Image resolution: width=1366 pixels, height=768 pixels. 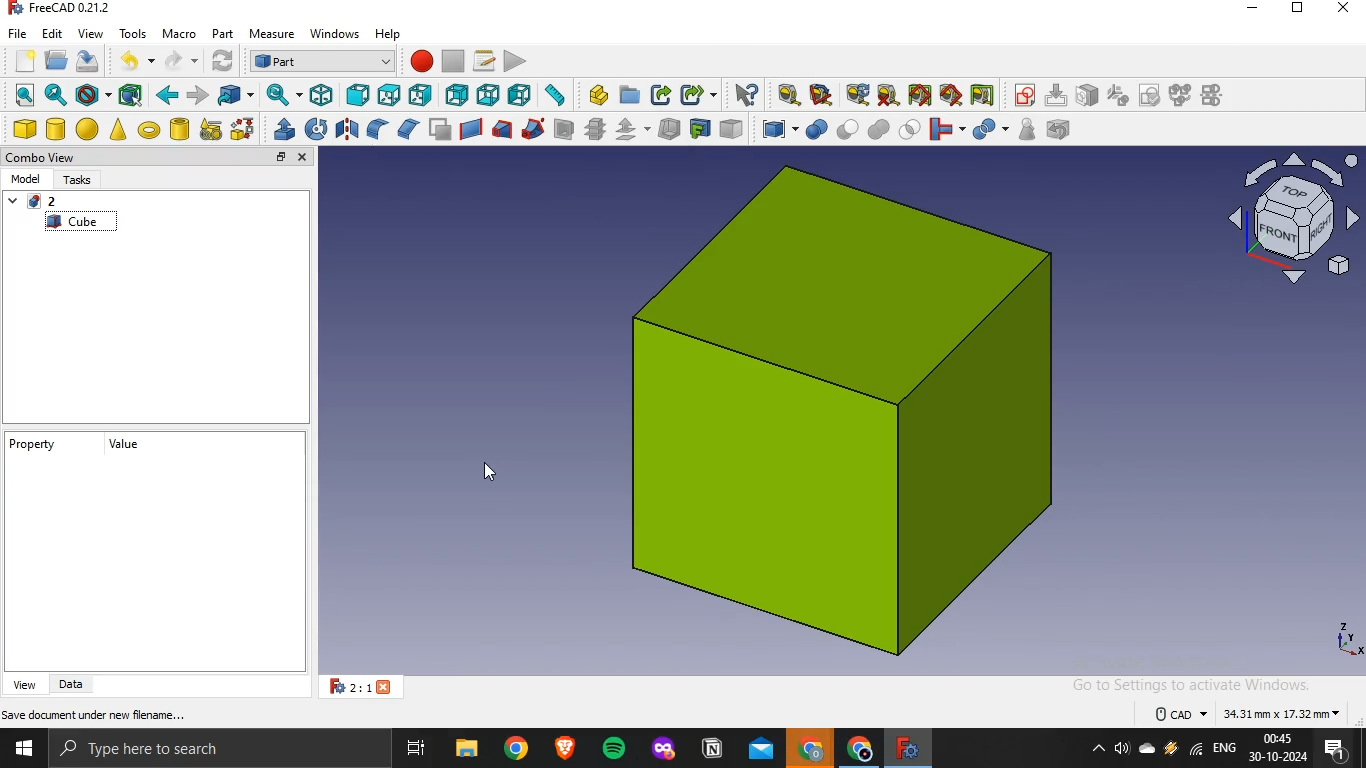 I want to click on union, so click(x=878, y=129).